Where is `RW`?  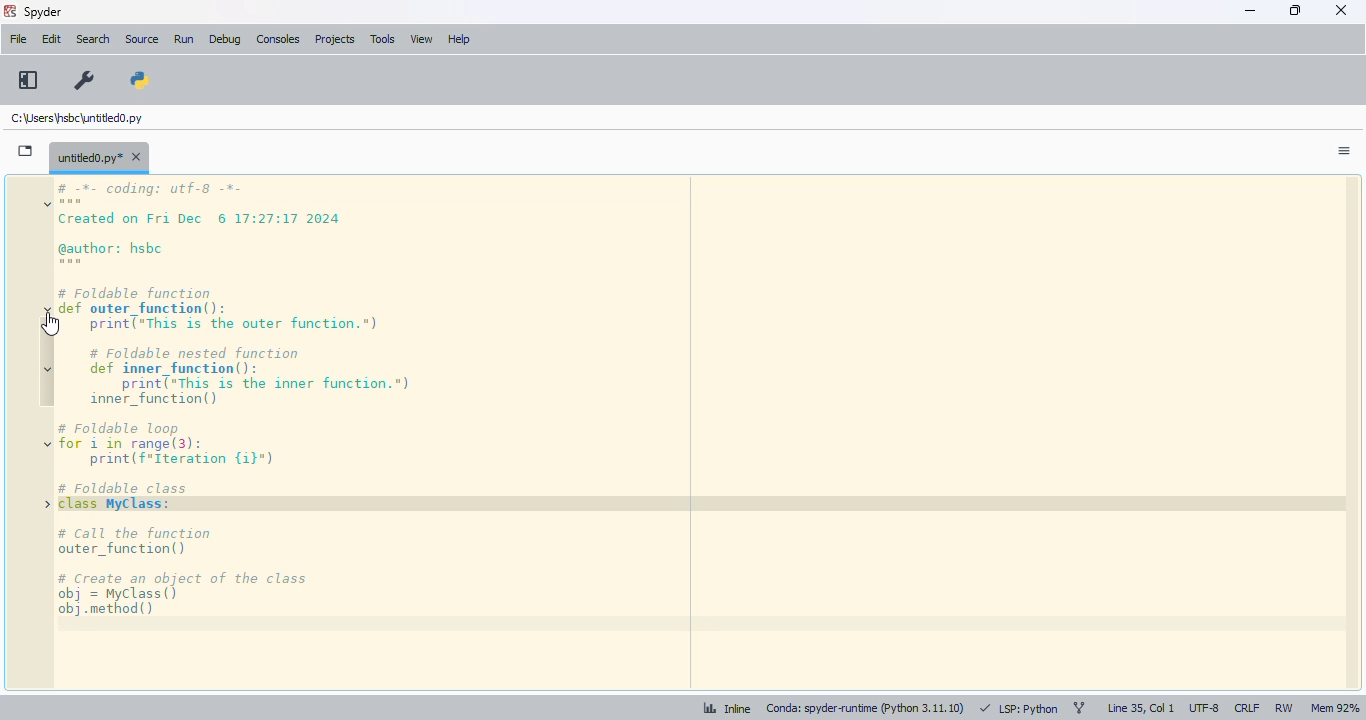
RW is located at coordinates (1283, 708).